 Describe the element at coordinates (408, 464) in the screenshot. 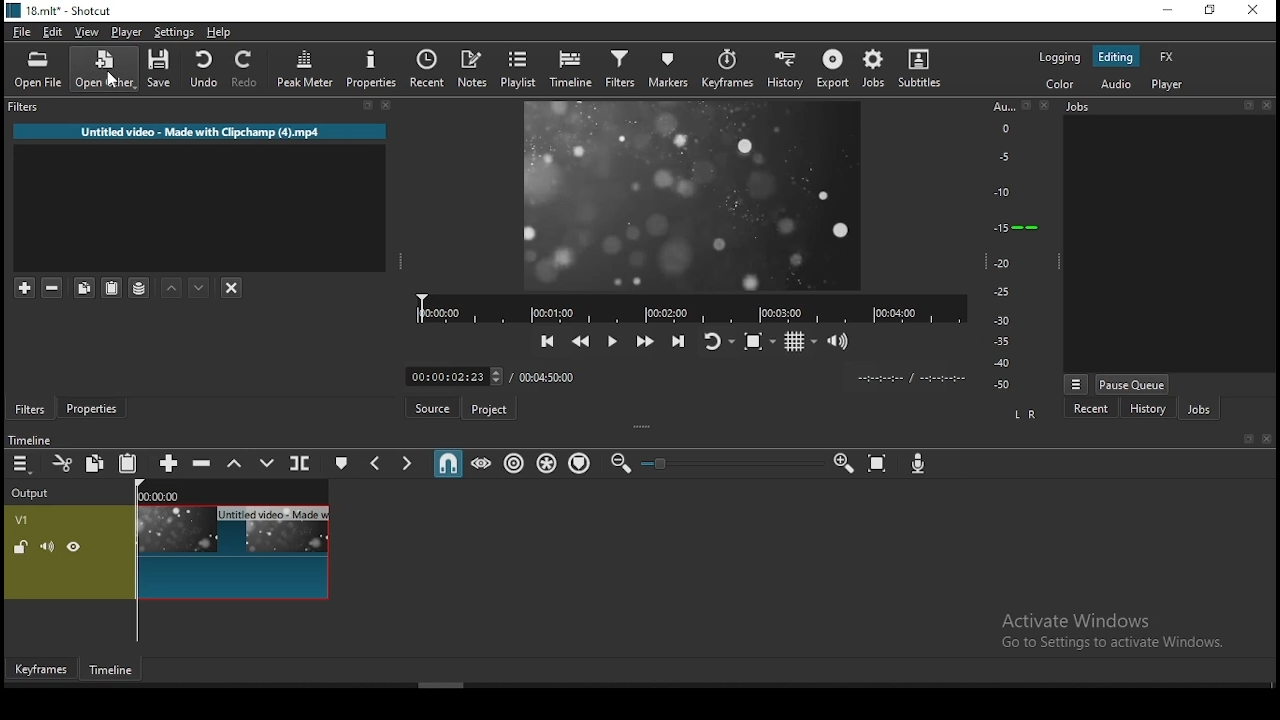

I see `next marker` at that location.